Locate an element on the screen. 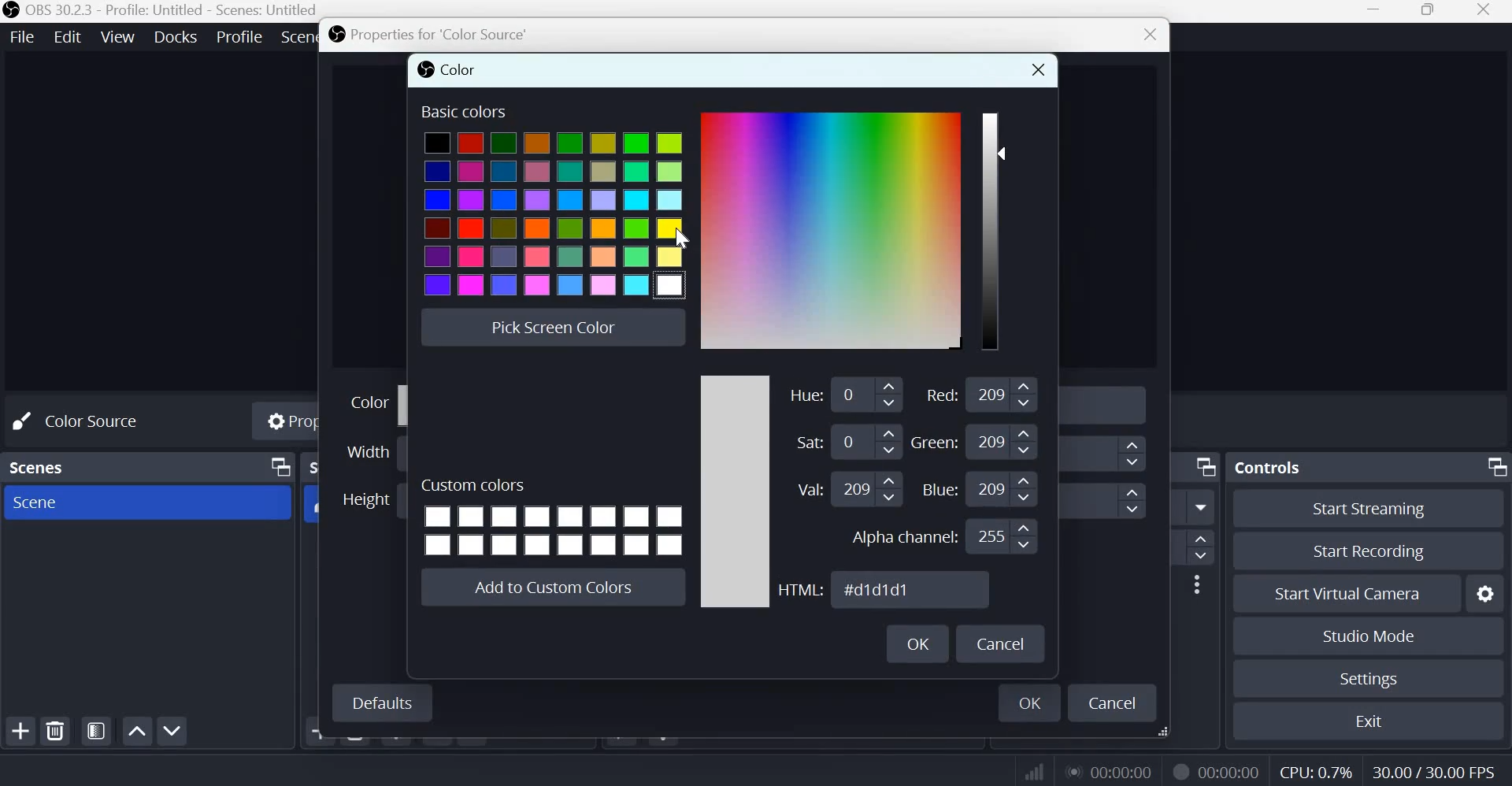  colors is located at coordinates (554, 217).